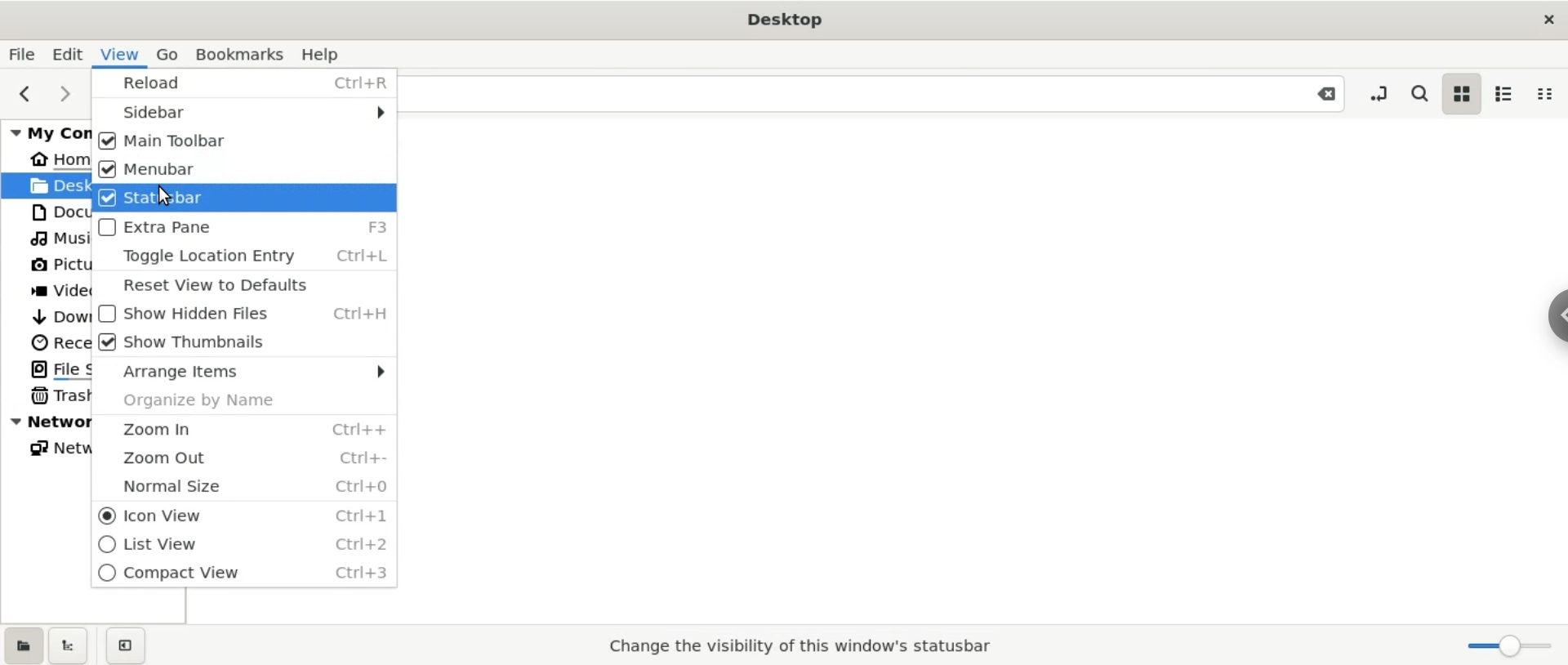  I want to click on Icon View, so click(240, 515).